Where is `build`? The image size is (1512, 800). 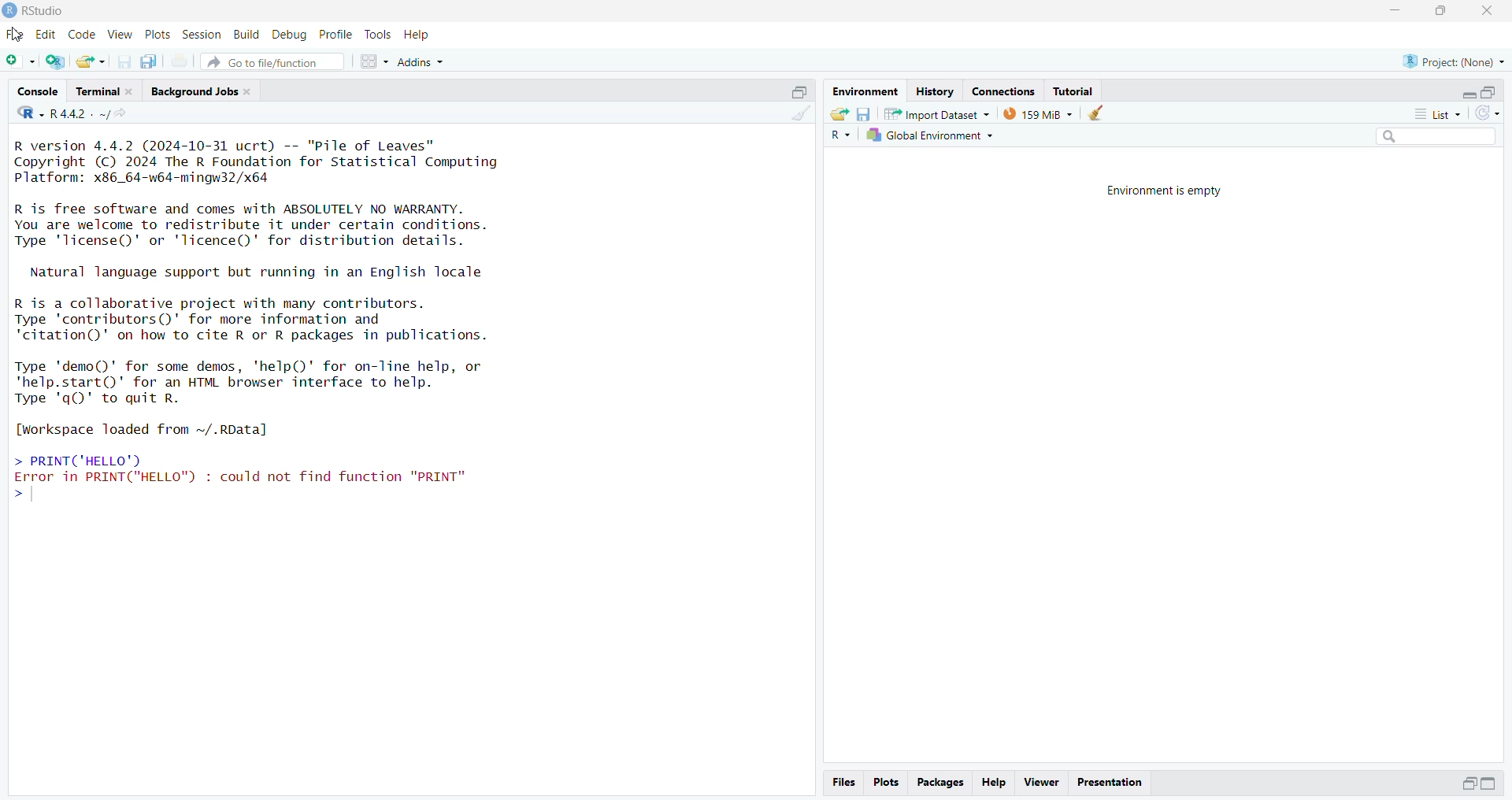
build is located at coordinates (248, 35).